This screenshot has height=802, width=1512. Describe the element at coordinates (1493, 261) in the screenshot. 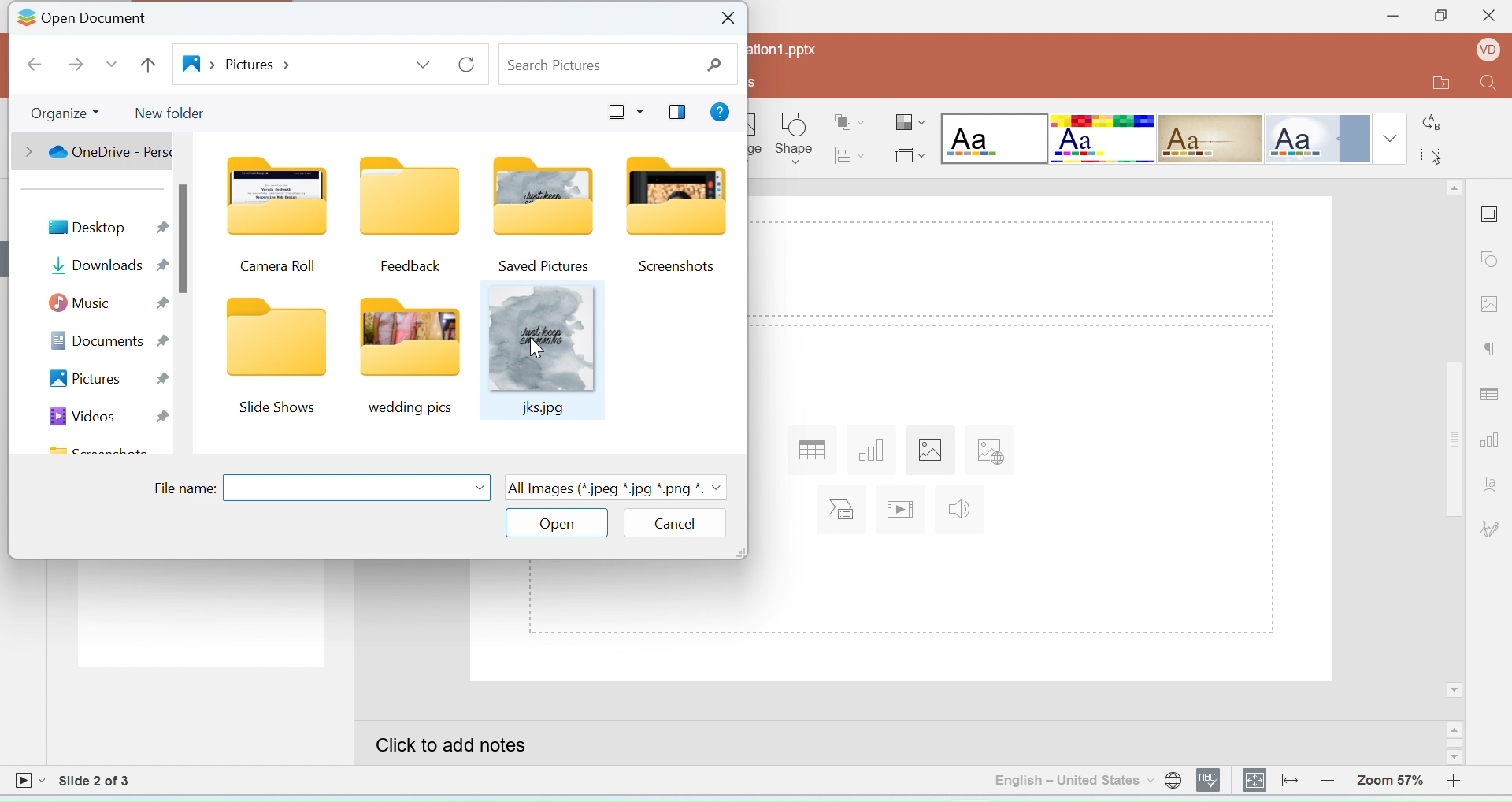

I see `Shape settings` at that location.